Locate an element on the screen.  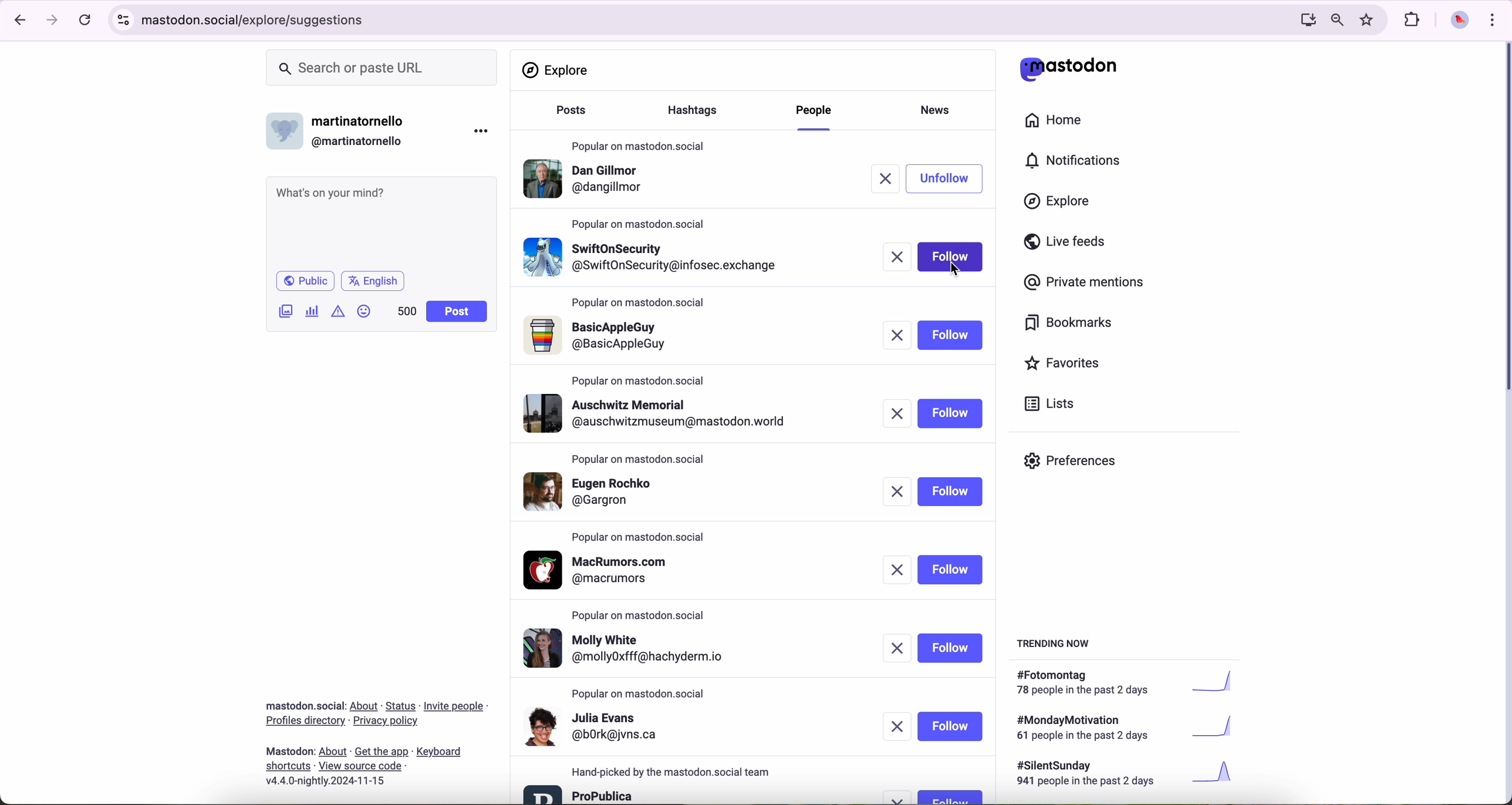
click on people is located at coordinates (816, 116).